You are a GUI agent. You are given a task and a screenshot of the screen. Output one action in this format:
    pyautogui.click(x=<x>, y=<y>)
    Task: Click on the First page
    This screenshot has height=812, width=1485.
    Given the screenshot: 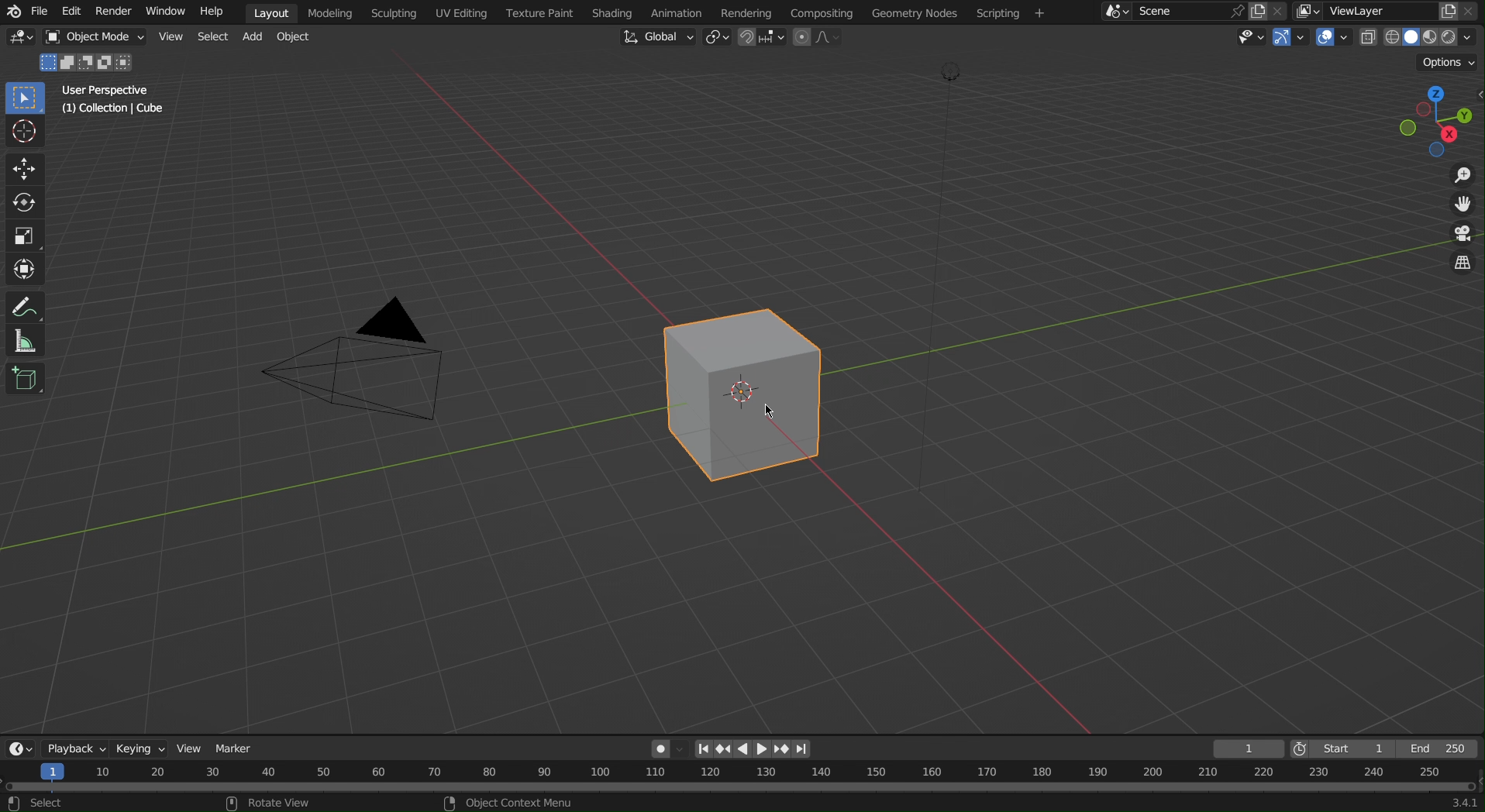 What is the action you would take?
    pyautogui.click(x=701, y=749)
    